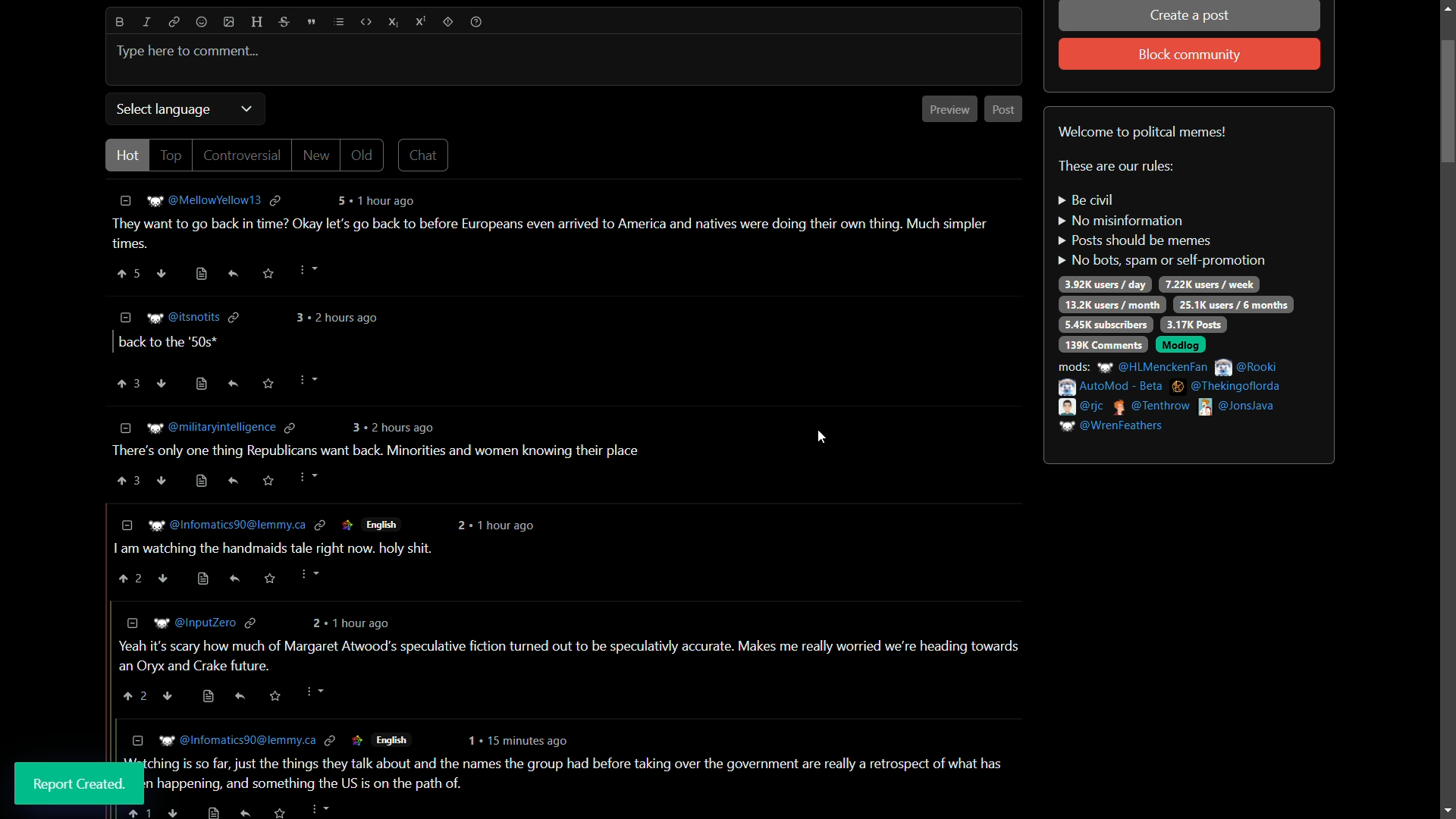 The image size is (1456, 819). What do you see at coordinates (188, 52) in the screenshot?
I see `type here to comment` at bounding box center [188, 52].